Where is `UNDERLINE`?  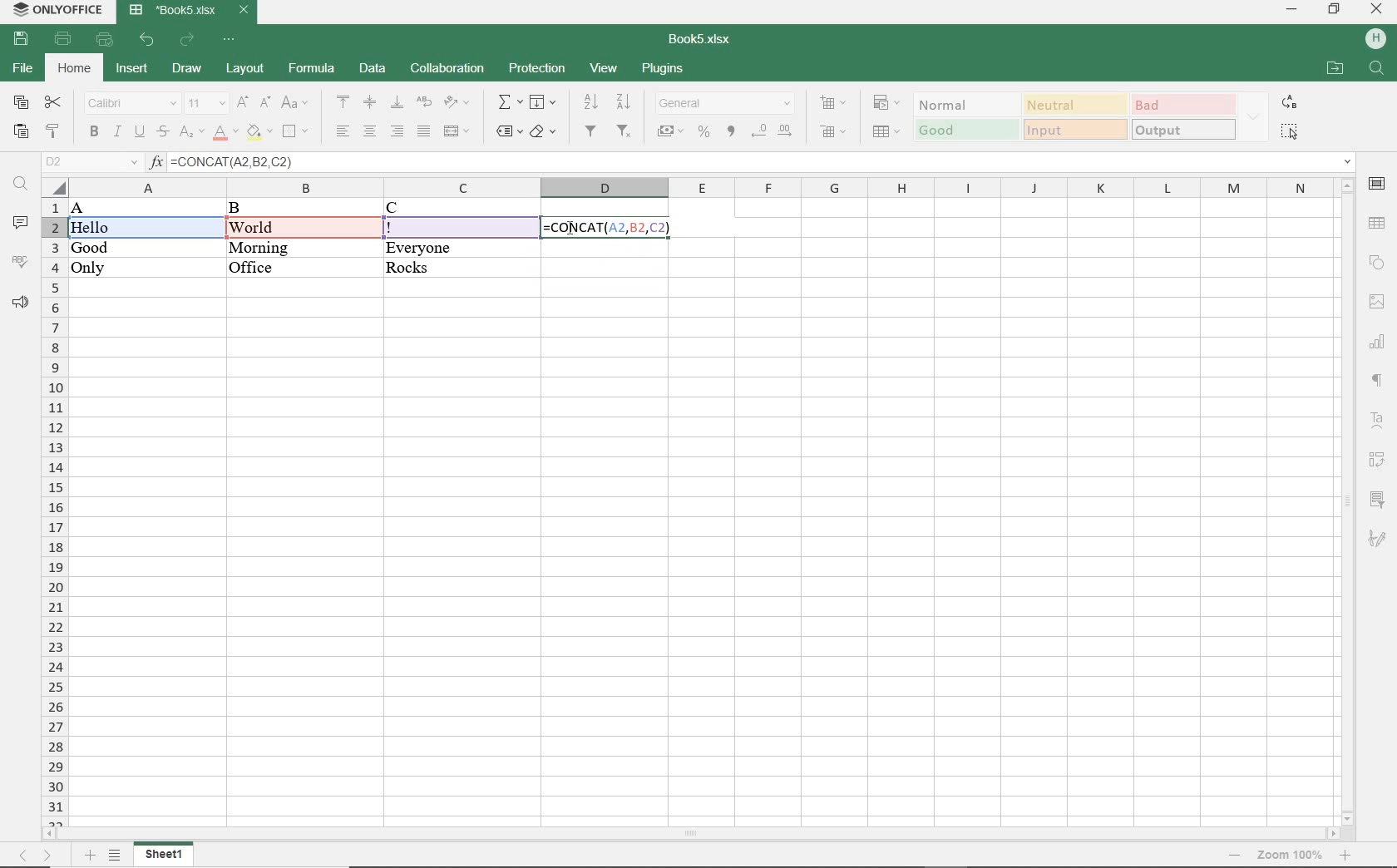 UNDERLINE is located at coordinates (141, 131).